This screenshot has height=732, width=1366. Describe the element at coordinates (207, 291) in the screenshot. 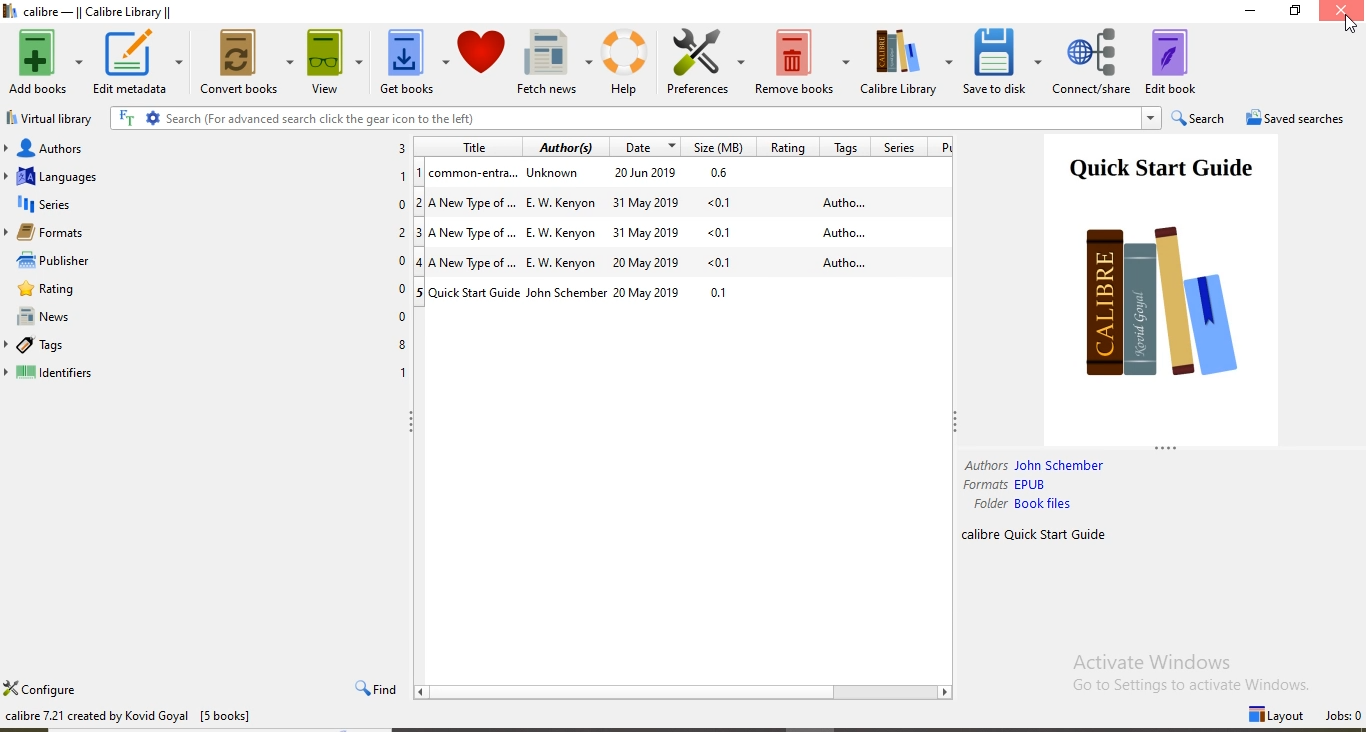

I see `Rating` at that location.